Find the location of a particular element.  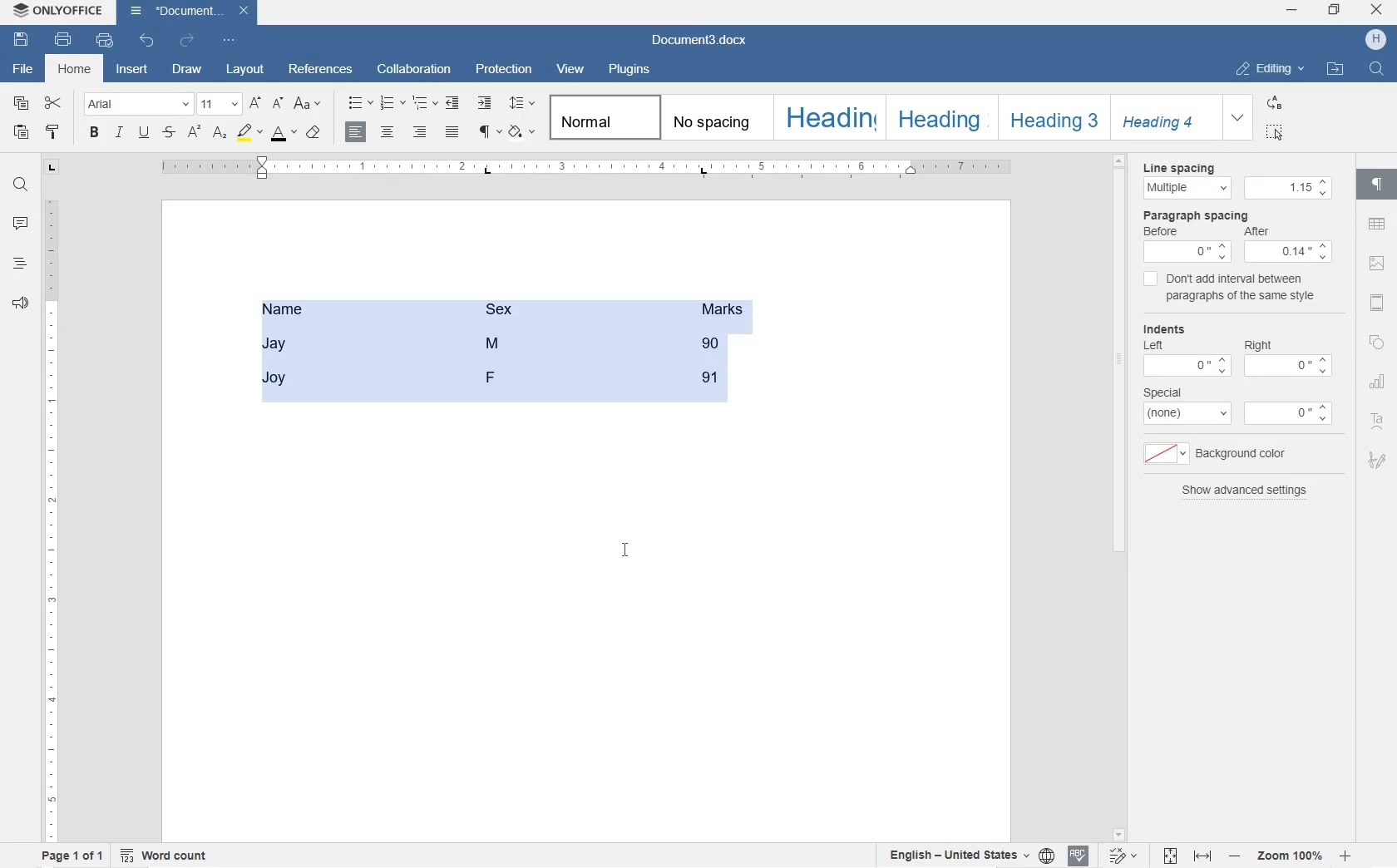

INSERT is located at coordinates (134, 70).